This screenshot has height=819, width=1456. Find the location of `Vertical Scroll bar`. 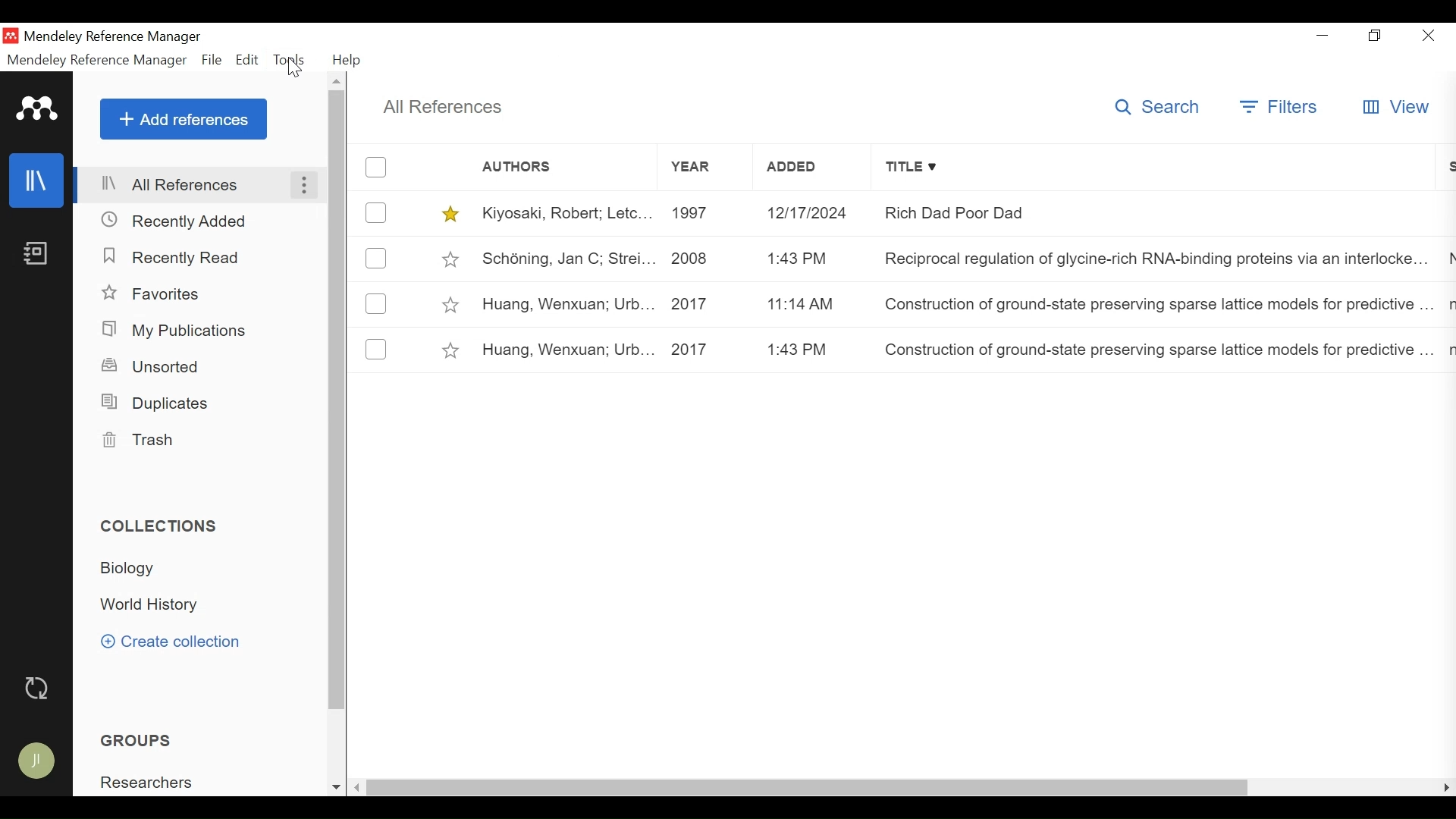

Vertical Scroll bar is located at coordinates (337, 403).